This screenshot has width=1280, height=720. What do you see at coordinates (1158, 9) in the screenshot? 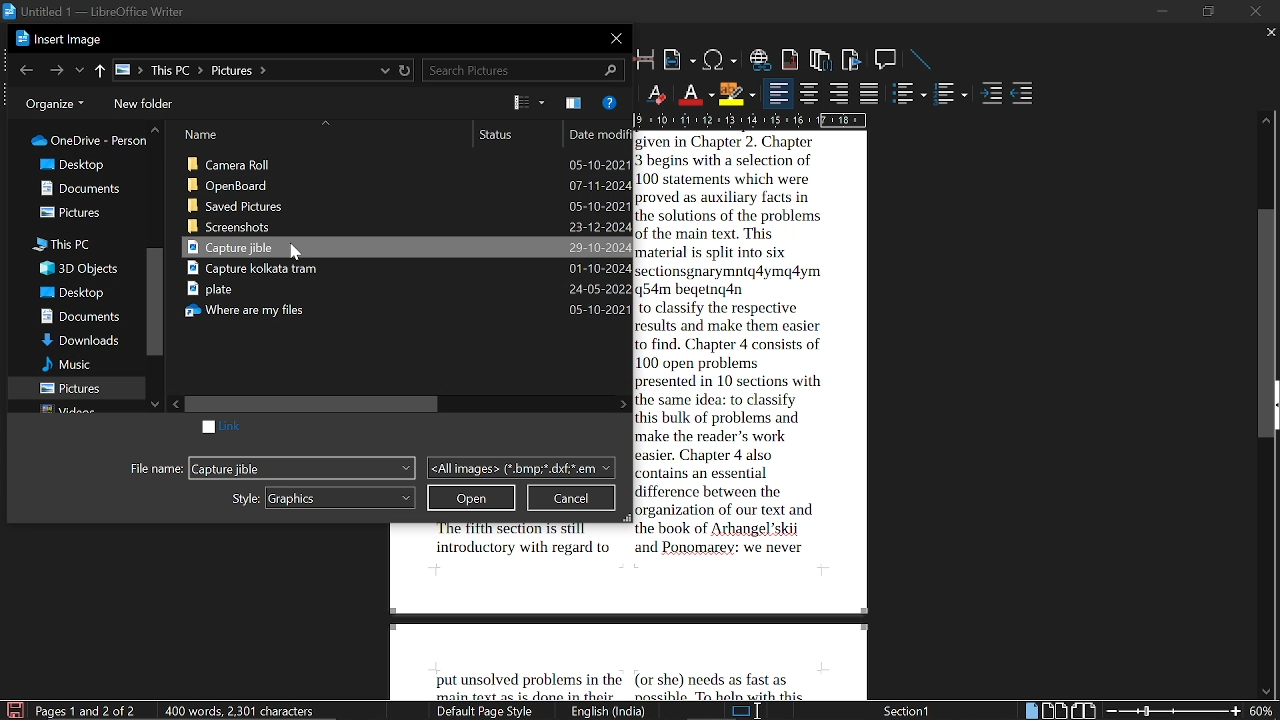
I see `minimize` at bounding box center [1158, 9].